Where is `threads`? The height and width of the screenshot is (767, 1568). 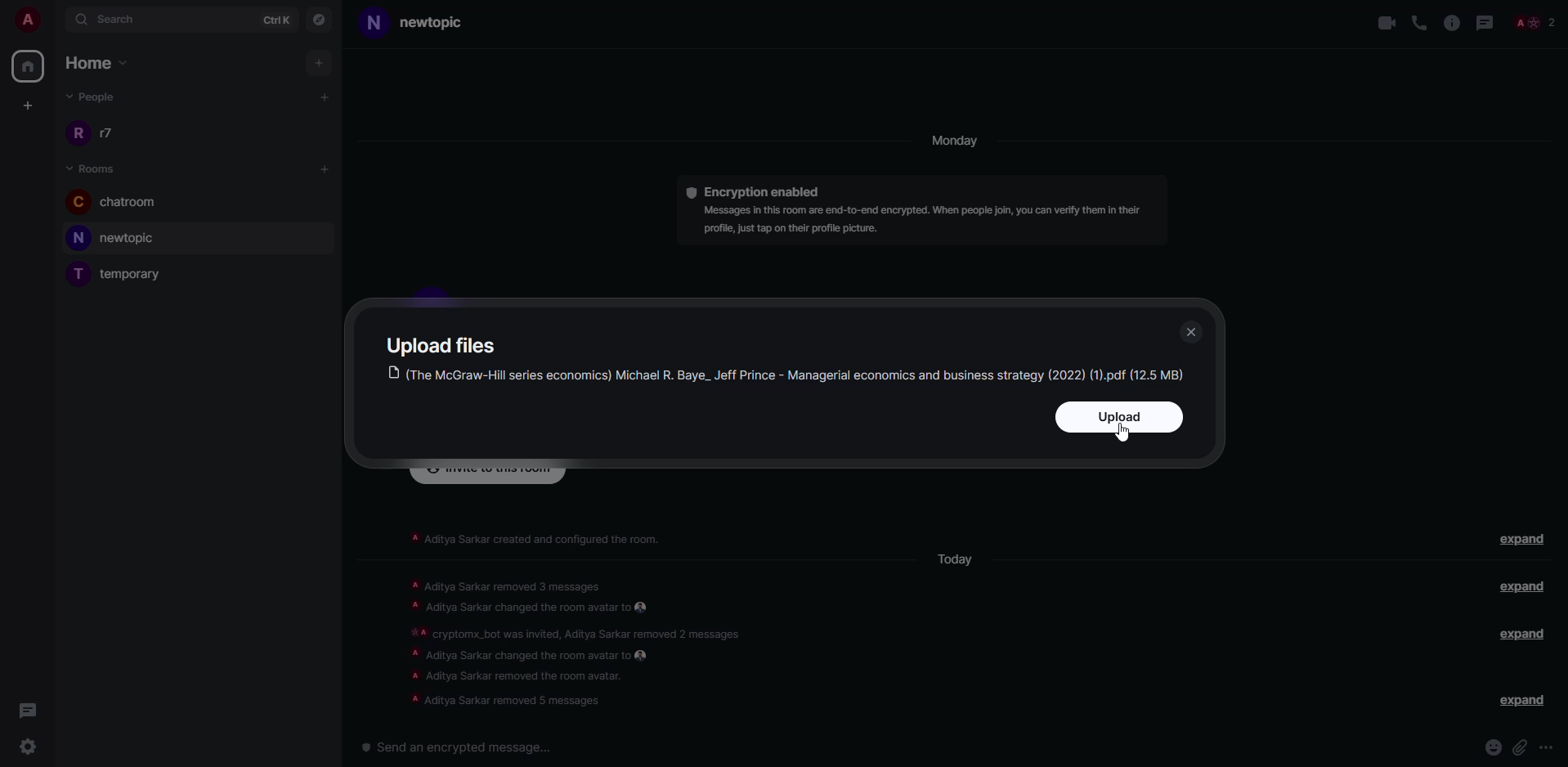
threads is located at coordinates (28, 710).